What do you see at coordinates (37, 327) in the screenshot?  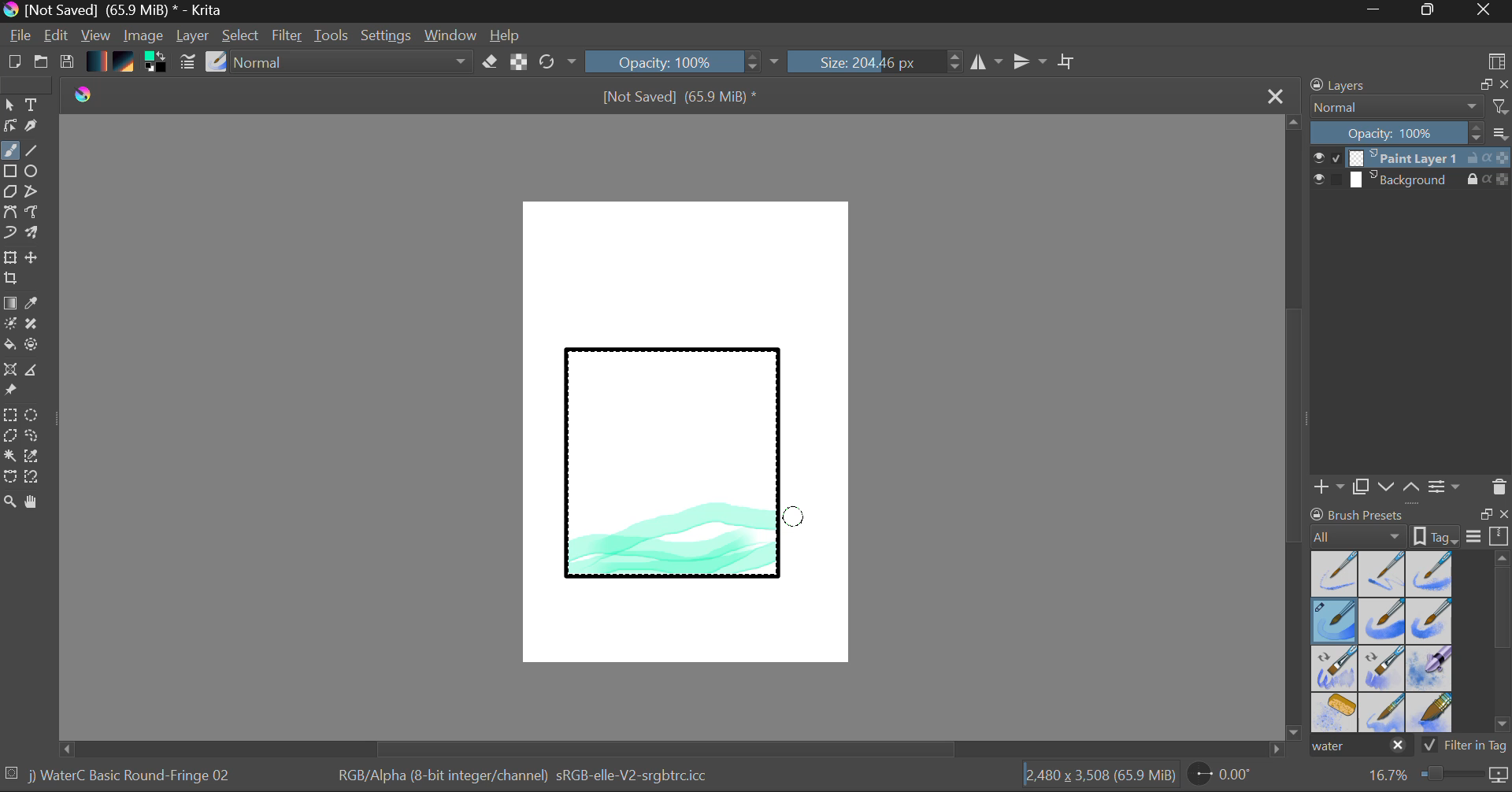 I see `Smart Patch Tool` at bounding box center [37, 327].